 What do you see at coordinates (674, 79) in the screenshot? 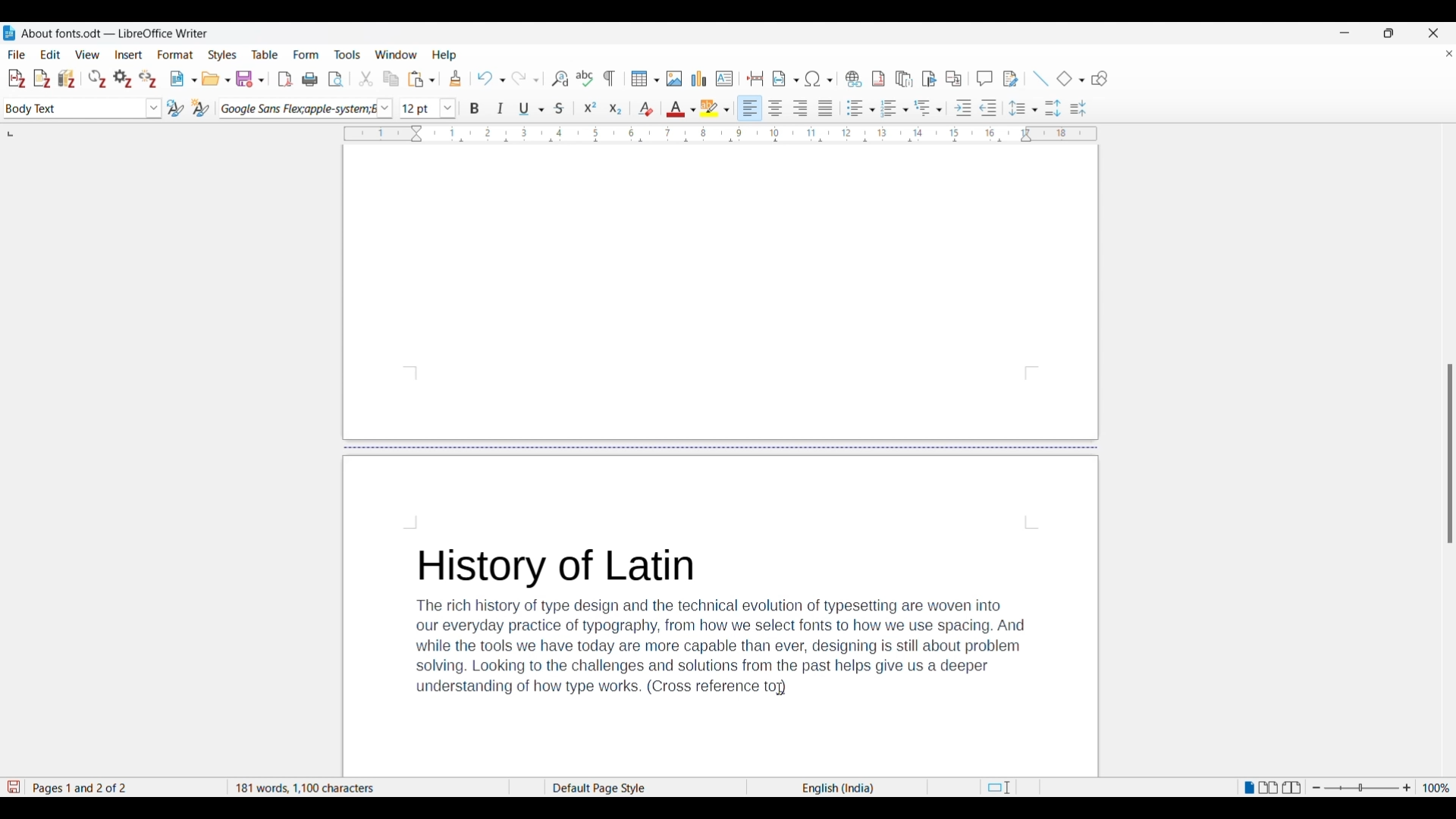
I see `Insert image` at bounding box center [674, 79].